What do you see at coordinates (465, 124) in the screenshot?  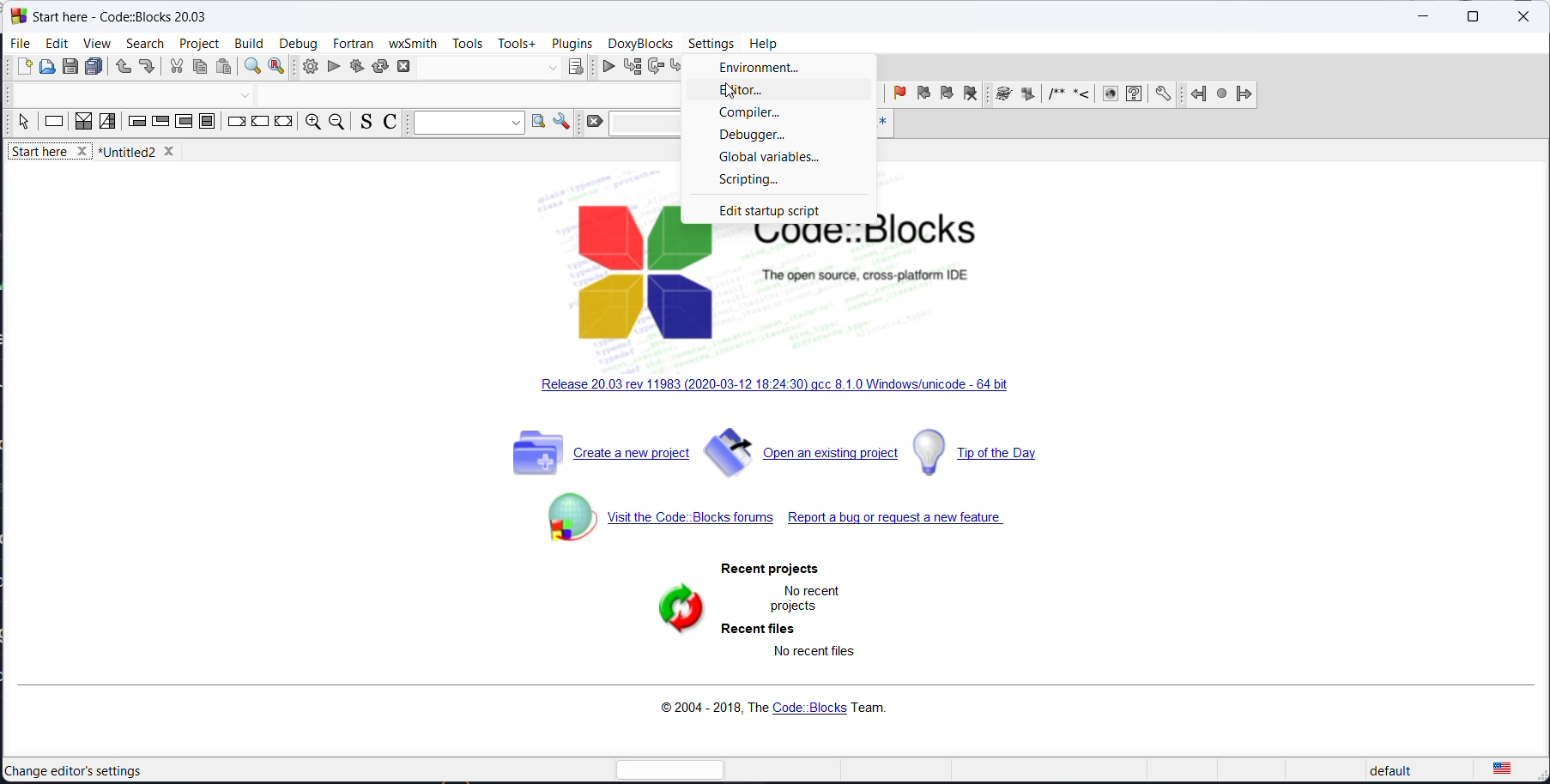 I see `dropdown` at bounding box center [465, 124].